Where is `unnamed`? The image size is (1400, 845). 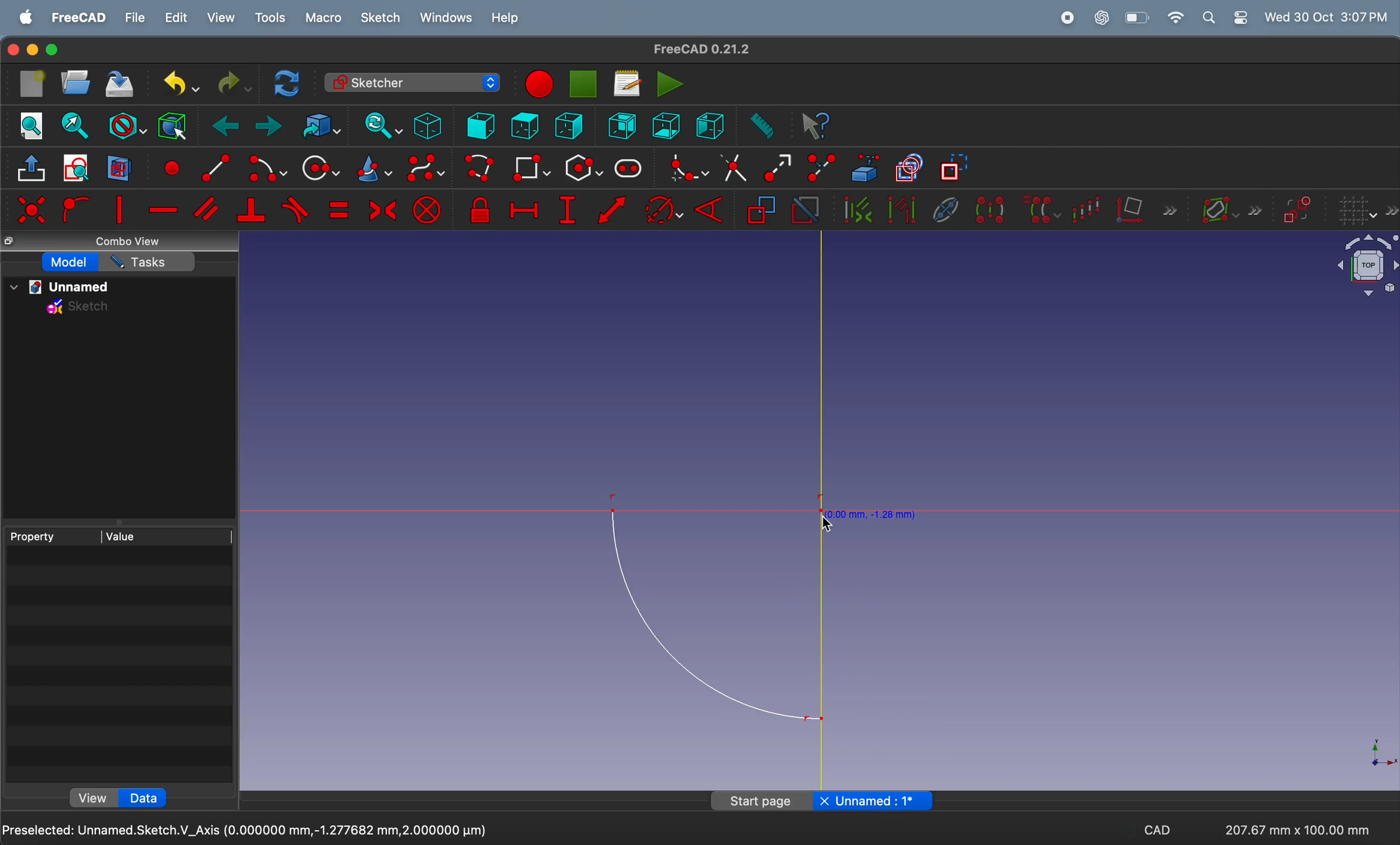
unnamed is located at coordinates (65, 287).